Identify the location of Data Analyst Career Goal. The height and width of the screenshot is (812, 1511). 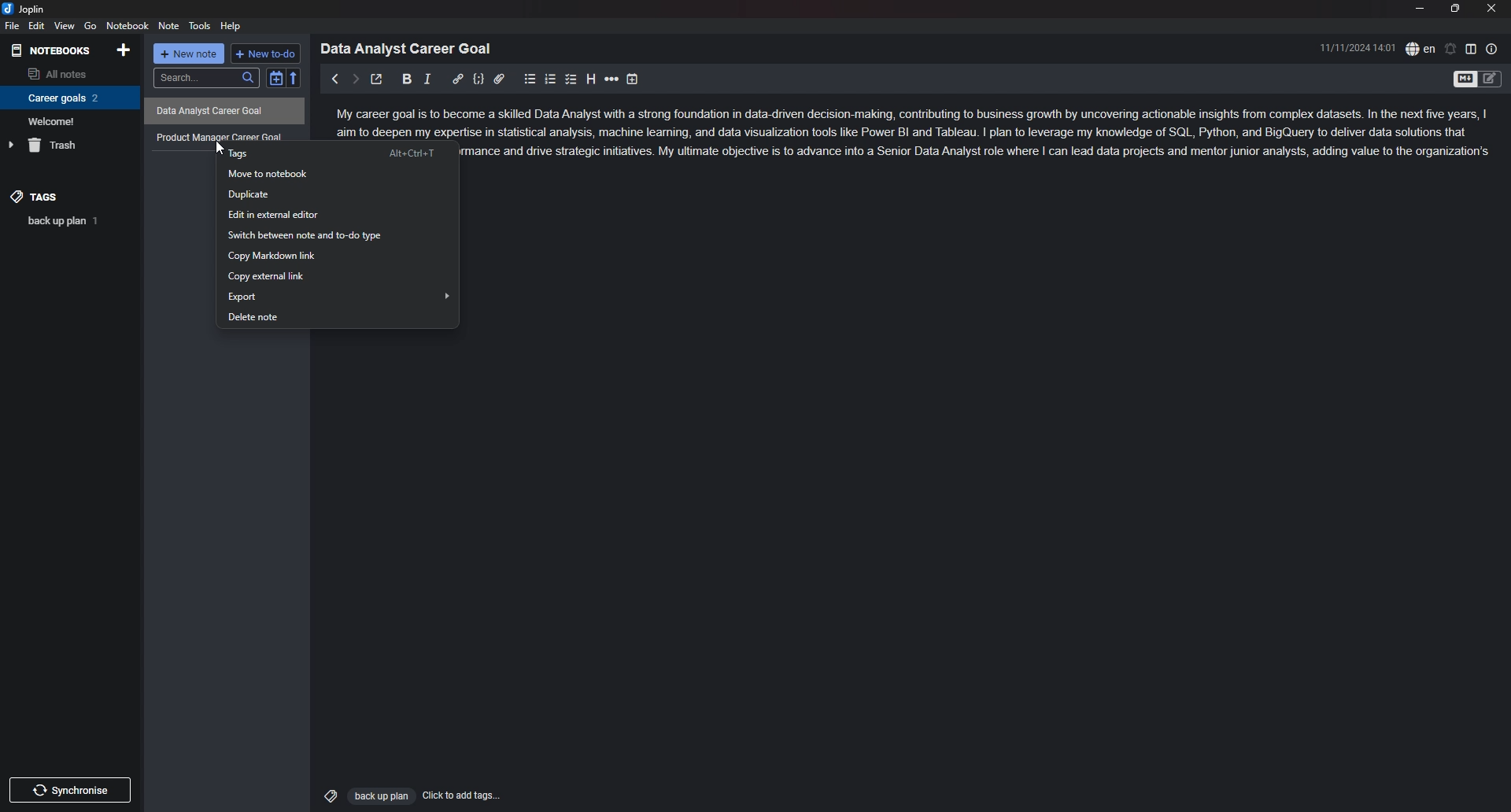
(224, 112).